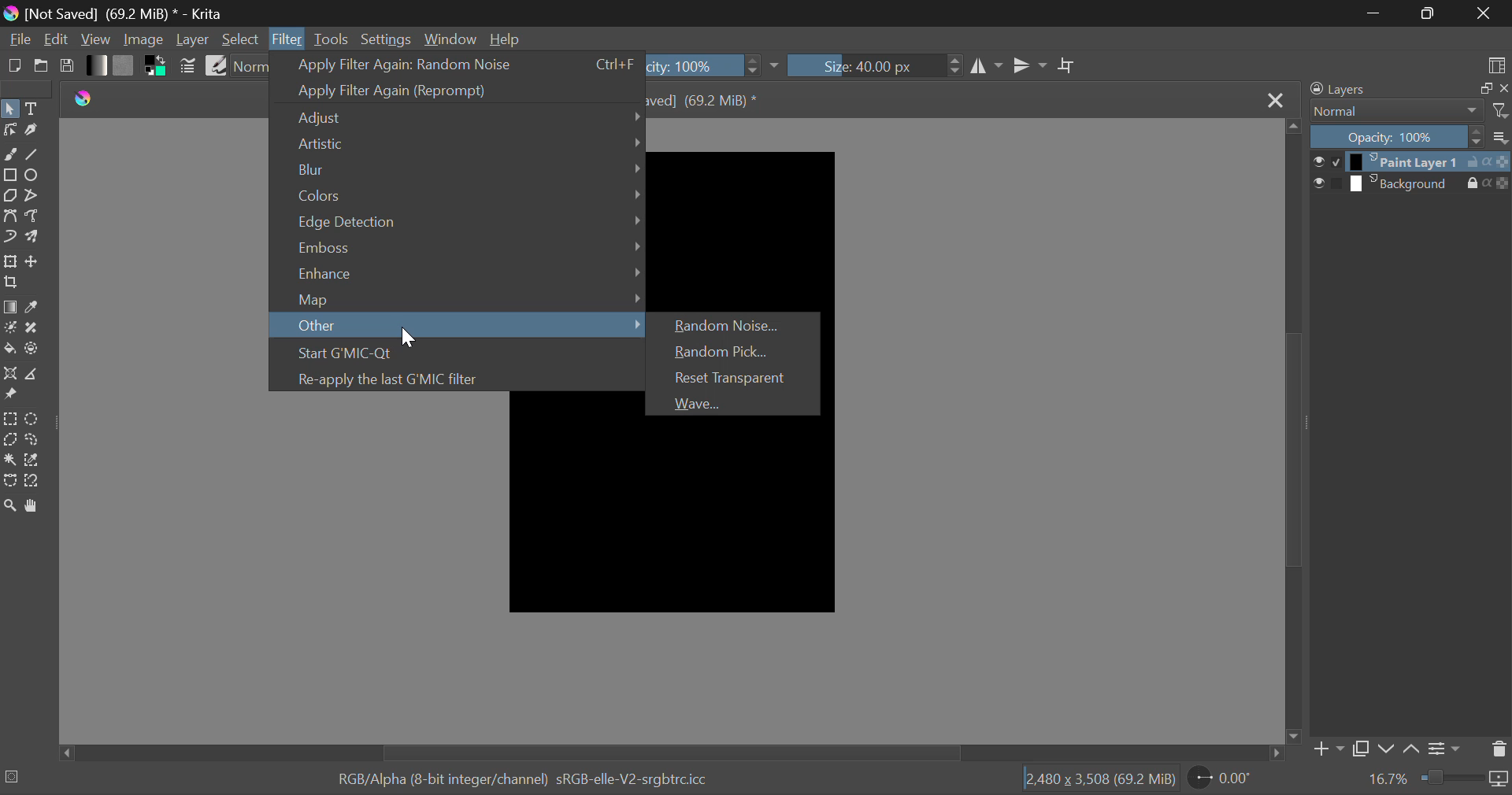  What do you see at coordinates (1333, 162) in the screenshot?
I see `checkbox` at bounding box center [1333, 162].